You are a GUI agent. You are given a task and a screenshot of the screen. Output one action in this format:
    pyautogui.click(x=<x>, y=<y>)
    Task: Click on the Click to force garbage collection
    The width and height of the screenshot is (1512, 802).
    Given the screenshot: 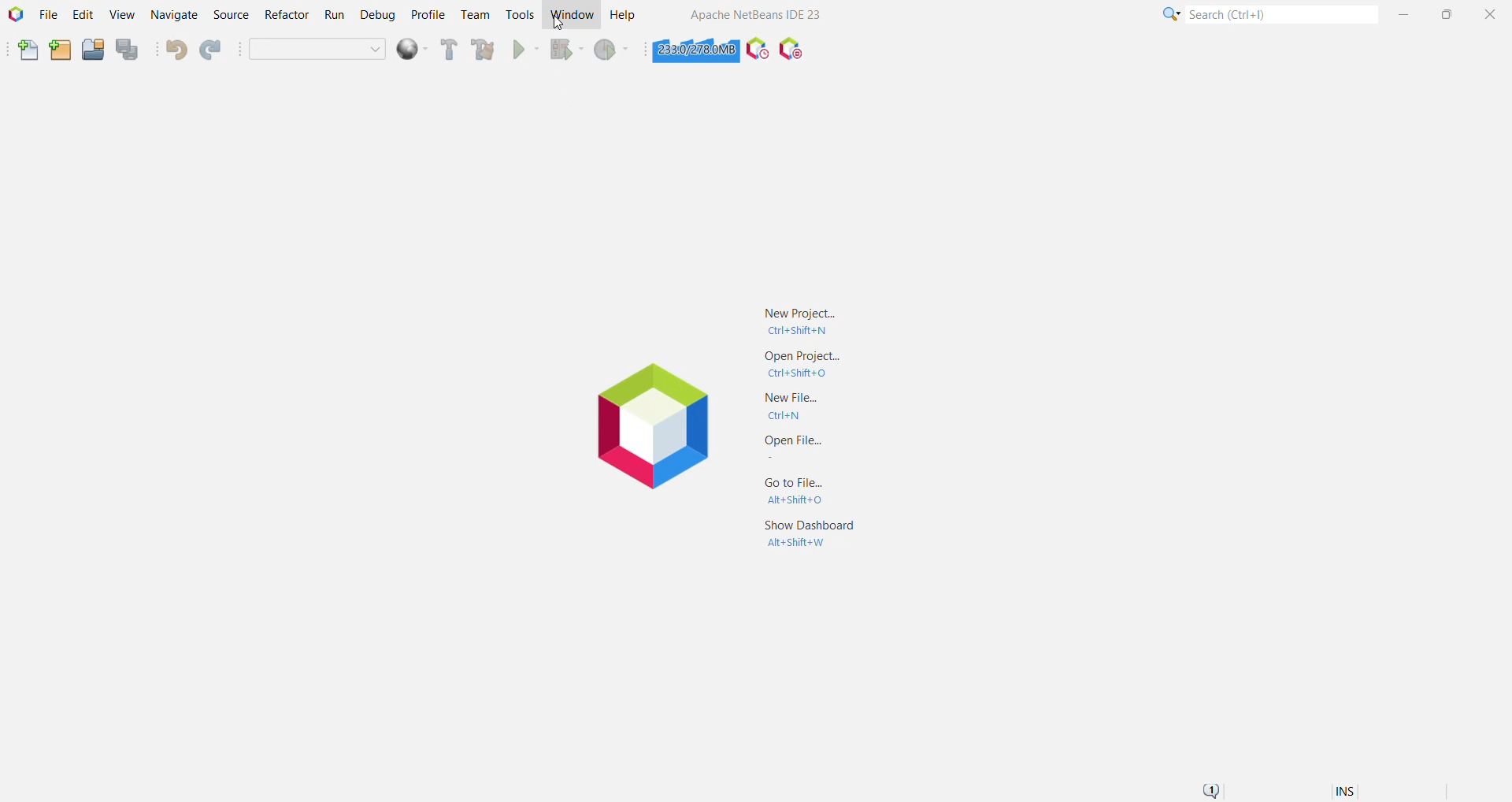 What is the action you would take?
    pyautogui.click(x=695, y=50)
    